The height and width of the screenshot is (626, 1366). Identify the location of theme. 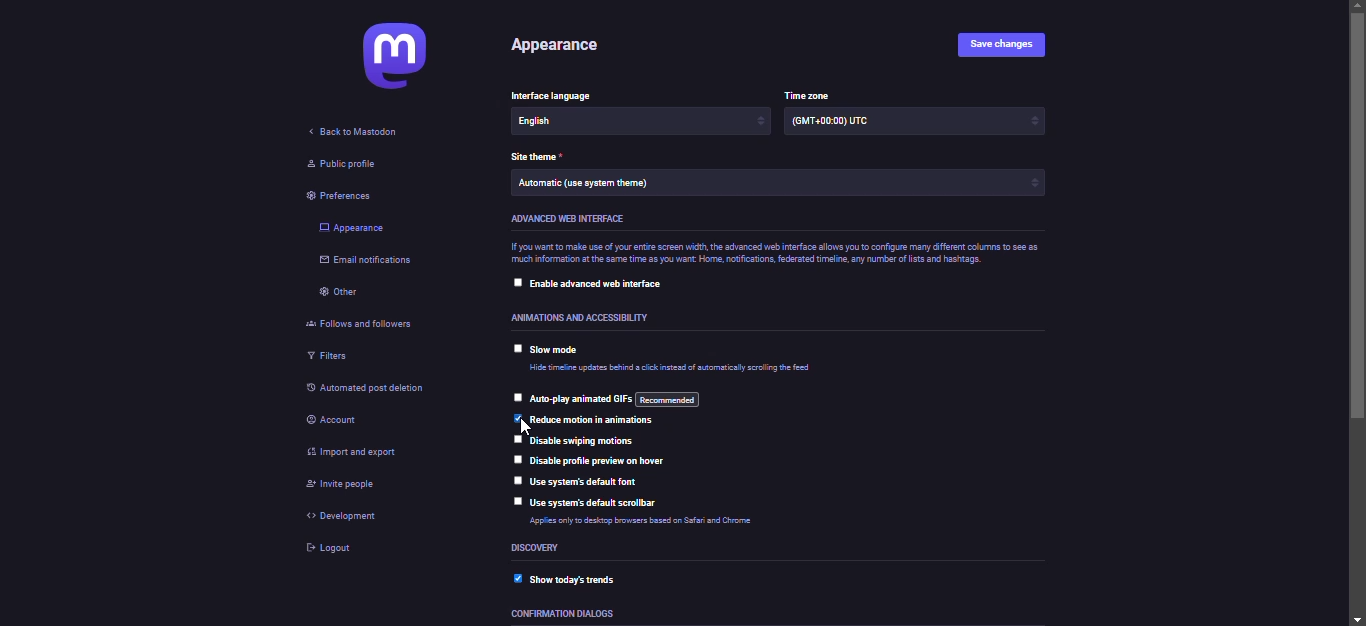
(536, 157).